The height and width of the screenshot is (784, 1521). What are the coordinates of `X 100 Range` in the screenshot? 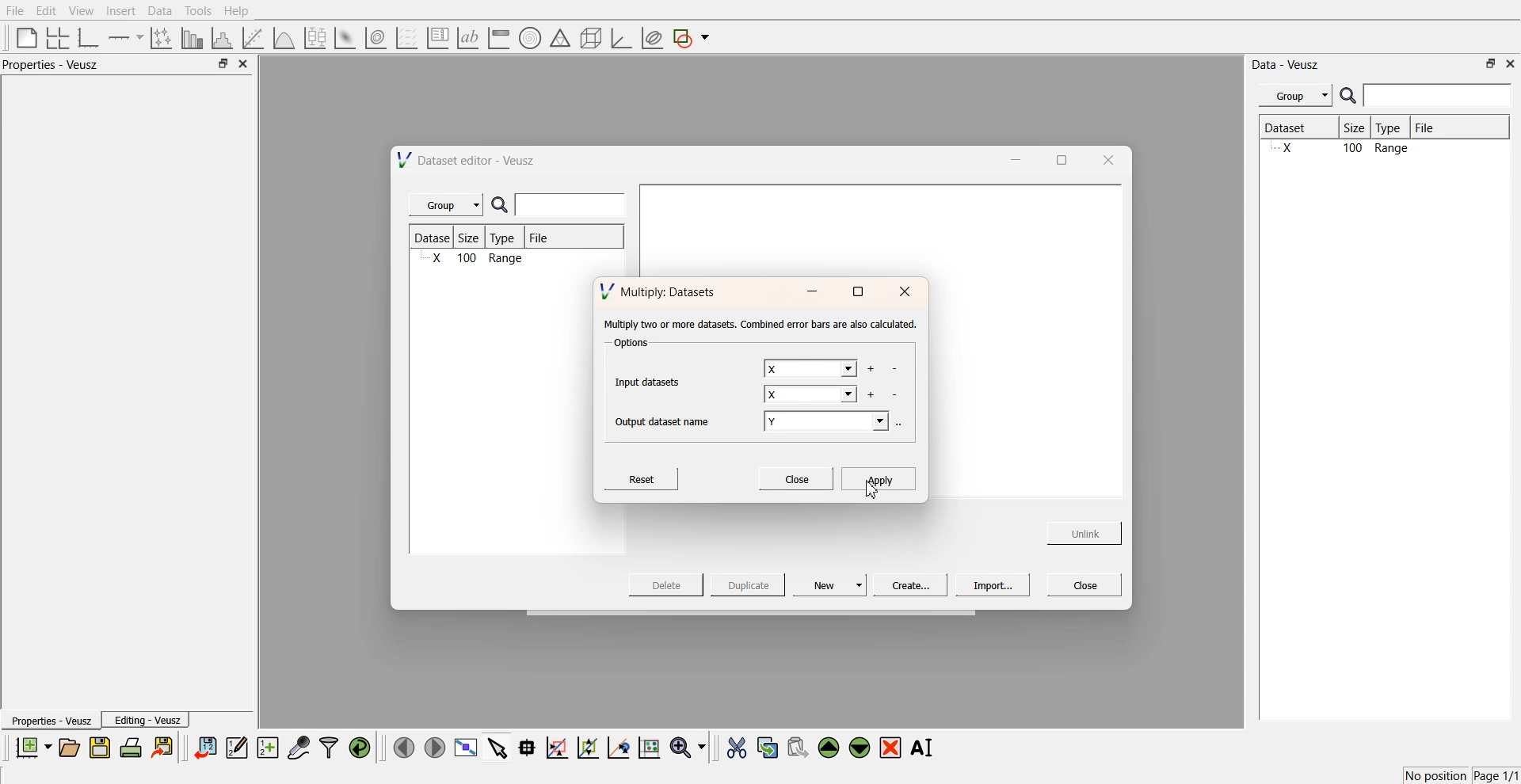 It's located at (1382, 150).